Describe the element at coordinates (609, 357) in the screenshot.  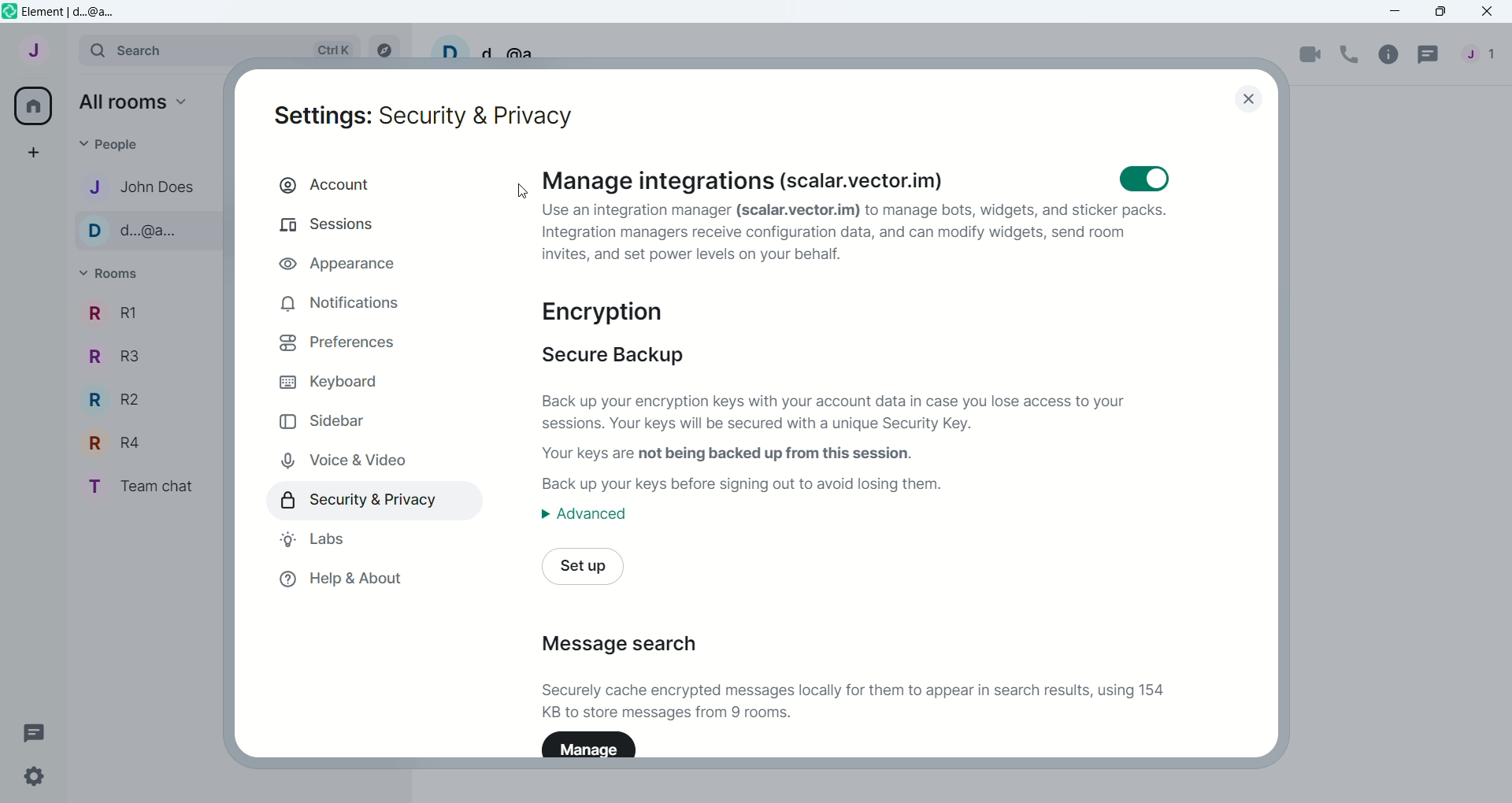
I see `secure backup` at that location.